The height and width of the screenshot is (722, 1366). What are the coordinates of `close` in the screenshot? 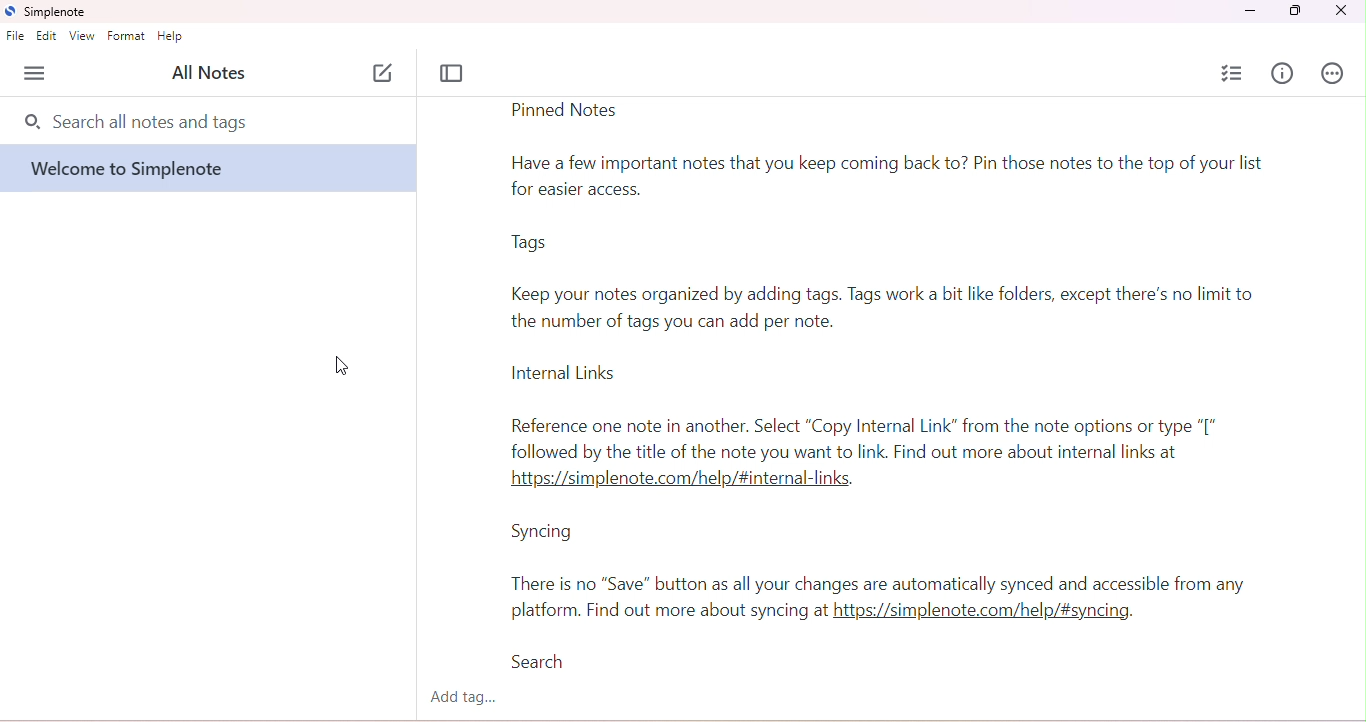 It's located at (1340, 11).